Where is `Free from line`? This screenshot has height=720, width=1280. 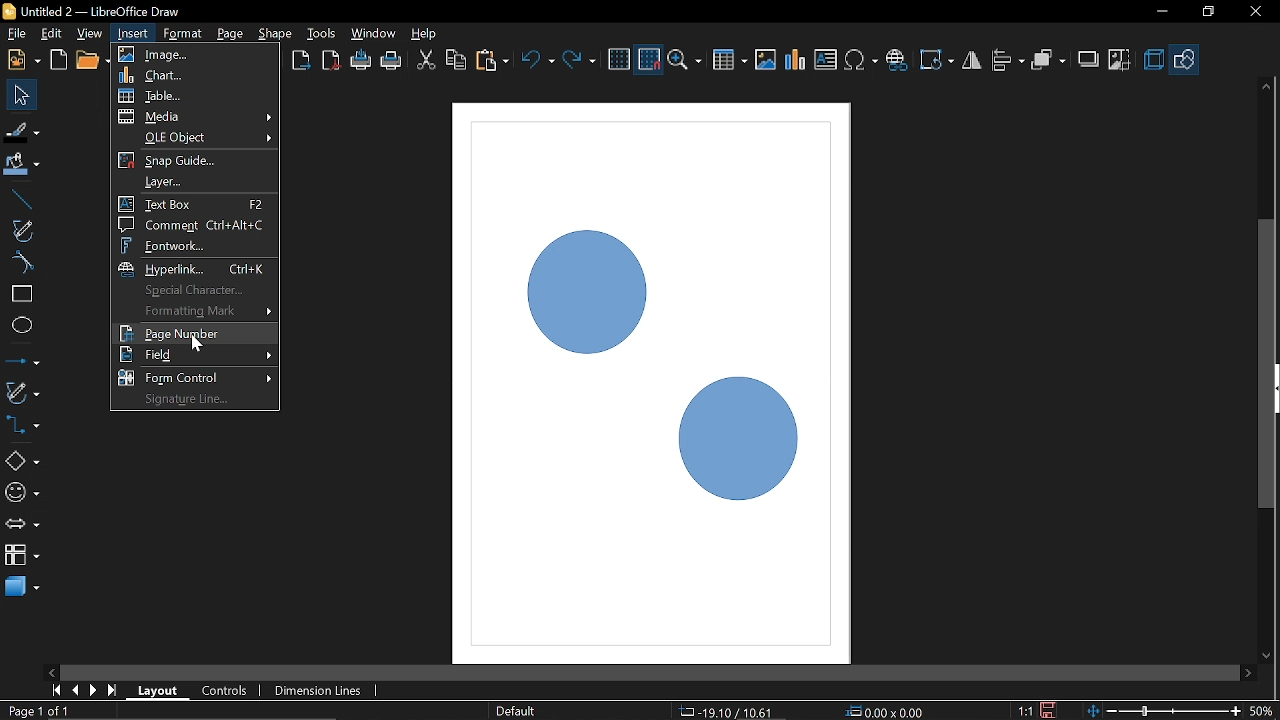
Free from line is located at coordinates (22, 230).